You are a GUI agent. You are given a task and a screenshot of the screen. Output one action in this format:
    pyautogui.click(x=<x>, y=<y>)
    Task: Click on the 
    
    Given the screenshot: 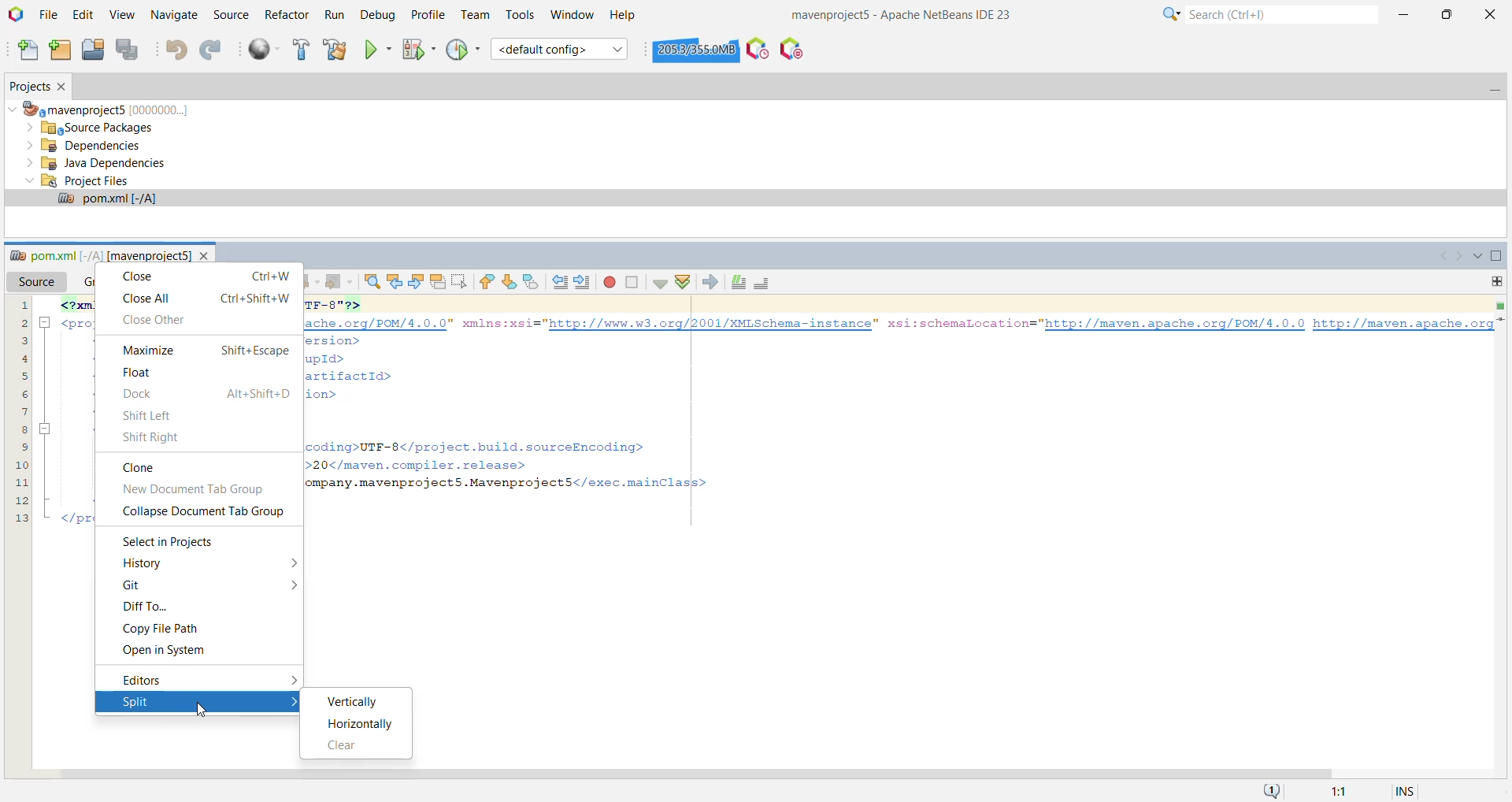 What is the action you would take?
    pyautogui.click(x=1342, y=790)
    